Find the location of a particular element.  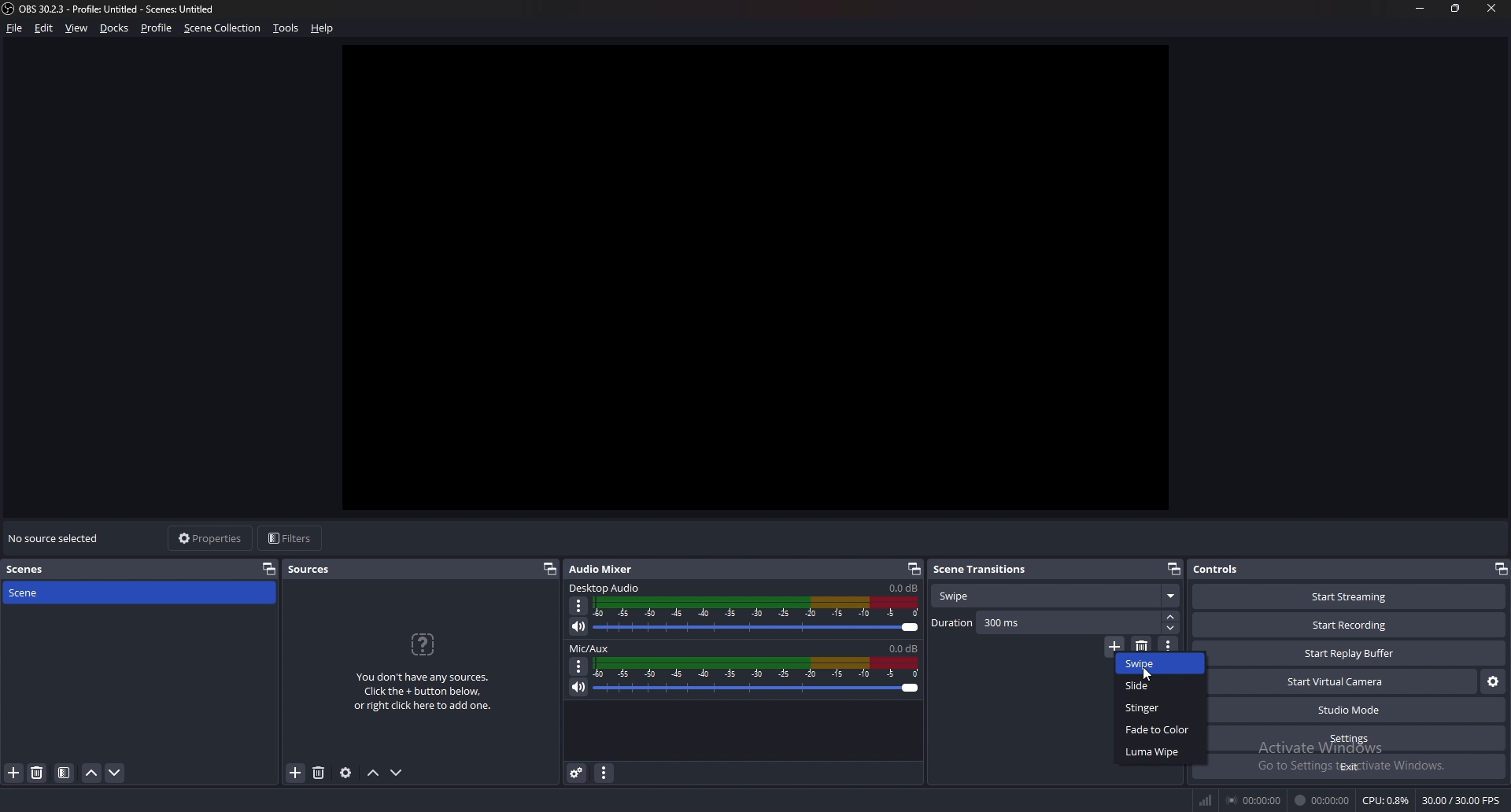

move up is located at coordinates (373, 773).